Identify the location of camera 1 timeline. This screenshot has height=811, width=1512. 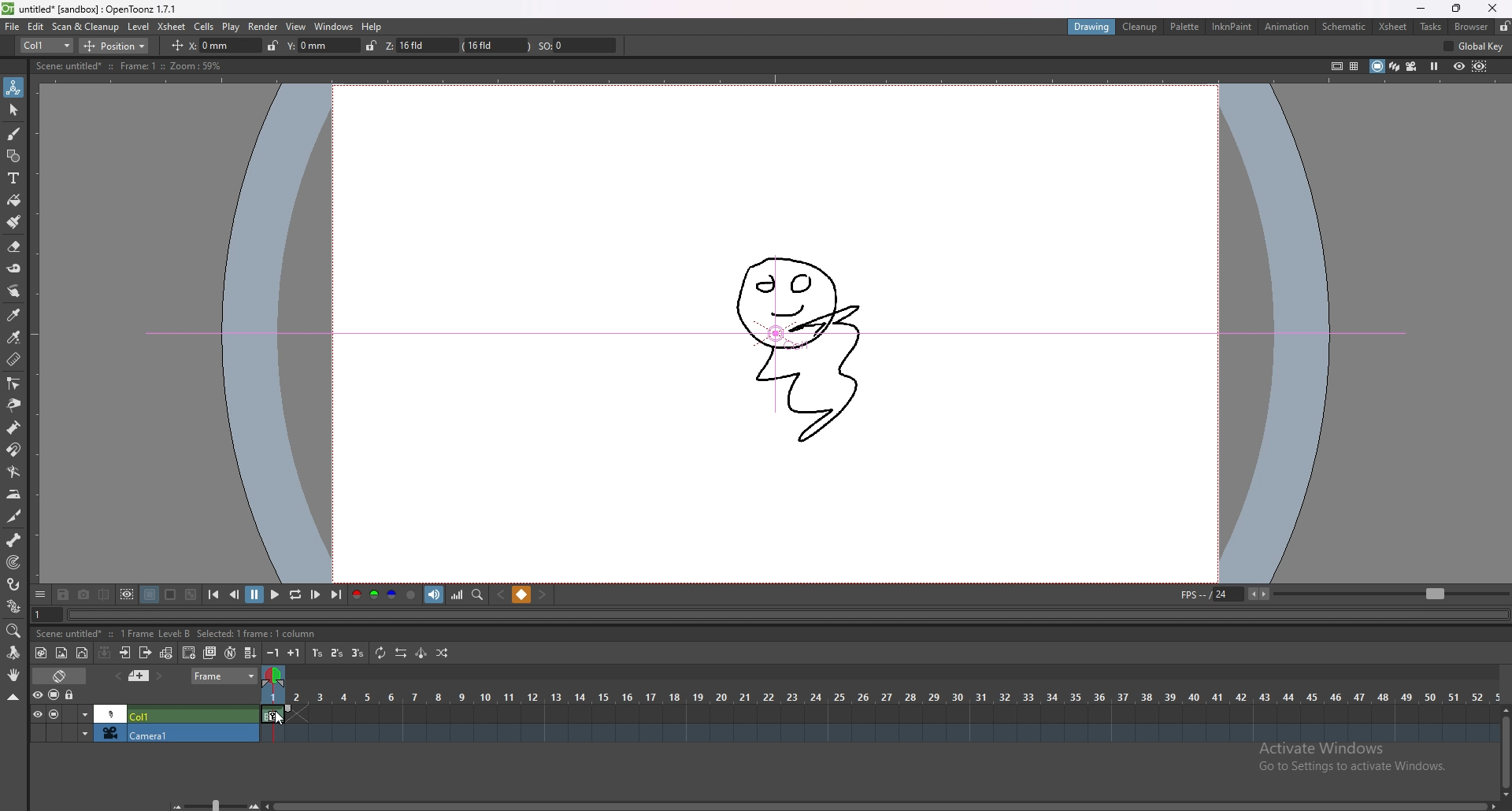
(876, 738).